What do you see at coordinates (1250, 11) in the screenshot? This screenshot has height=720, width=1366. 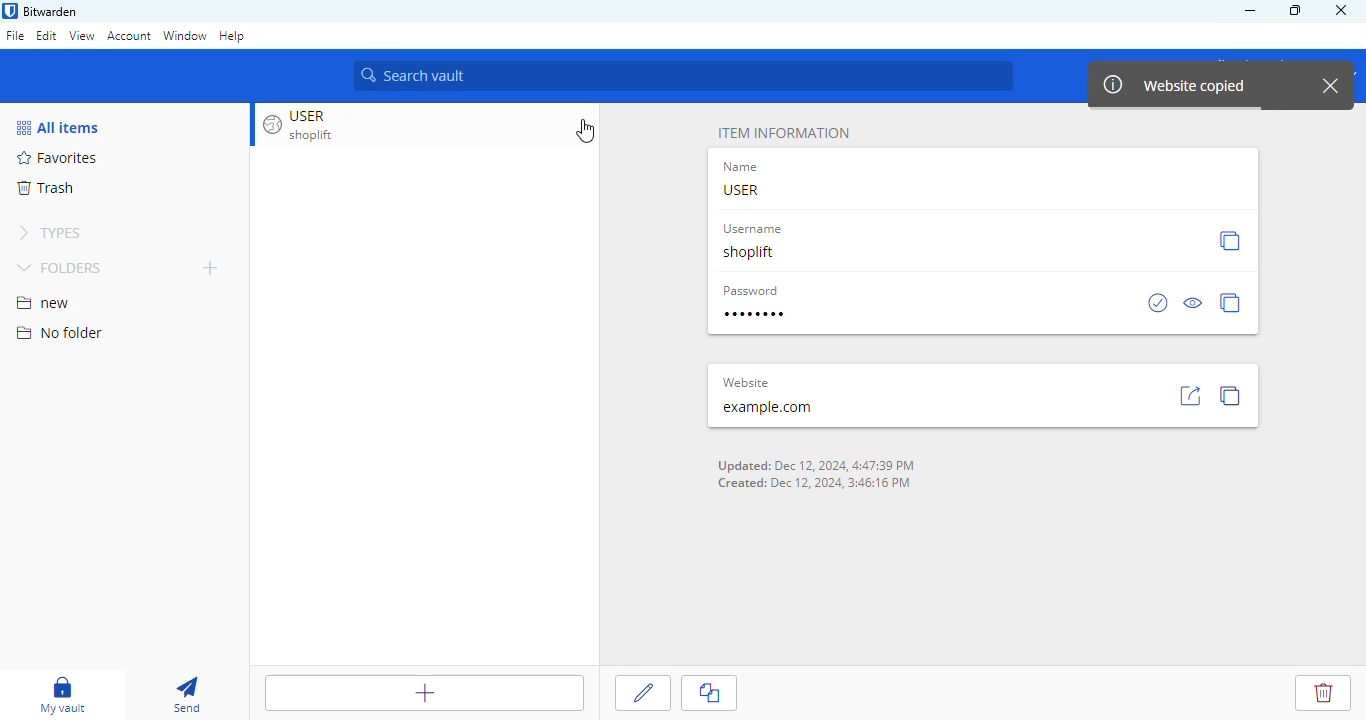 I see `minimize` at bounding box center [1250, 11].